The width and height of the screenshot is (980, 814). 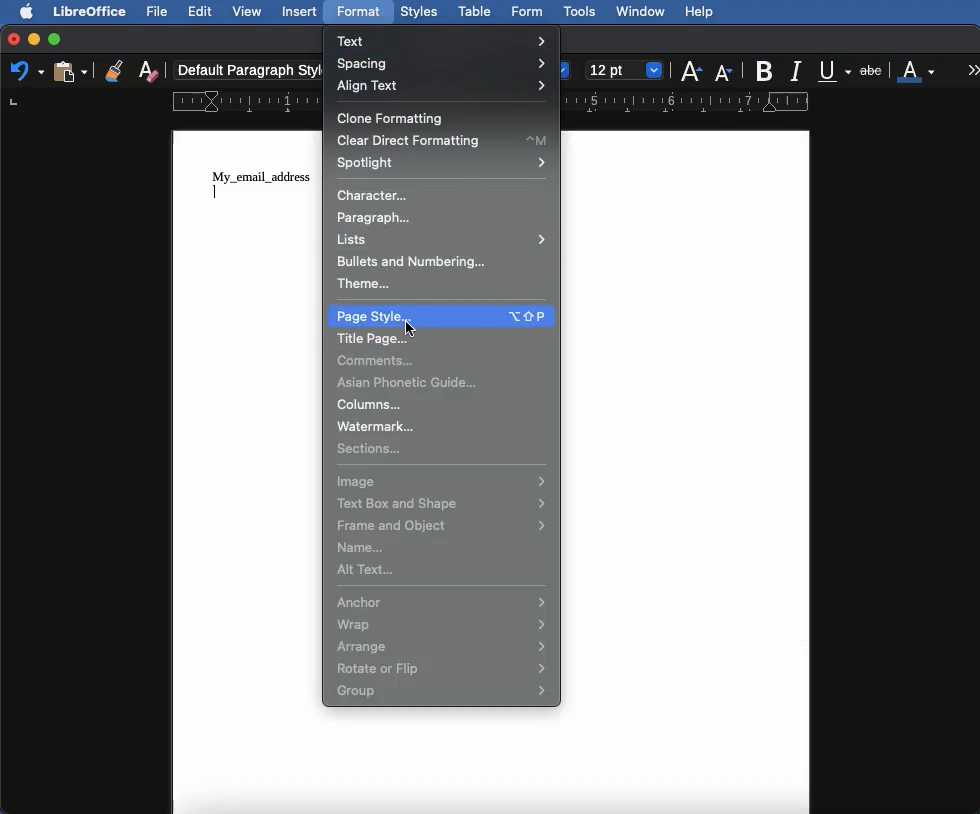 What do you see at coordinates (728, 72) in the screenshot?
I see `Size decrease` at bounding box center [728, 72].